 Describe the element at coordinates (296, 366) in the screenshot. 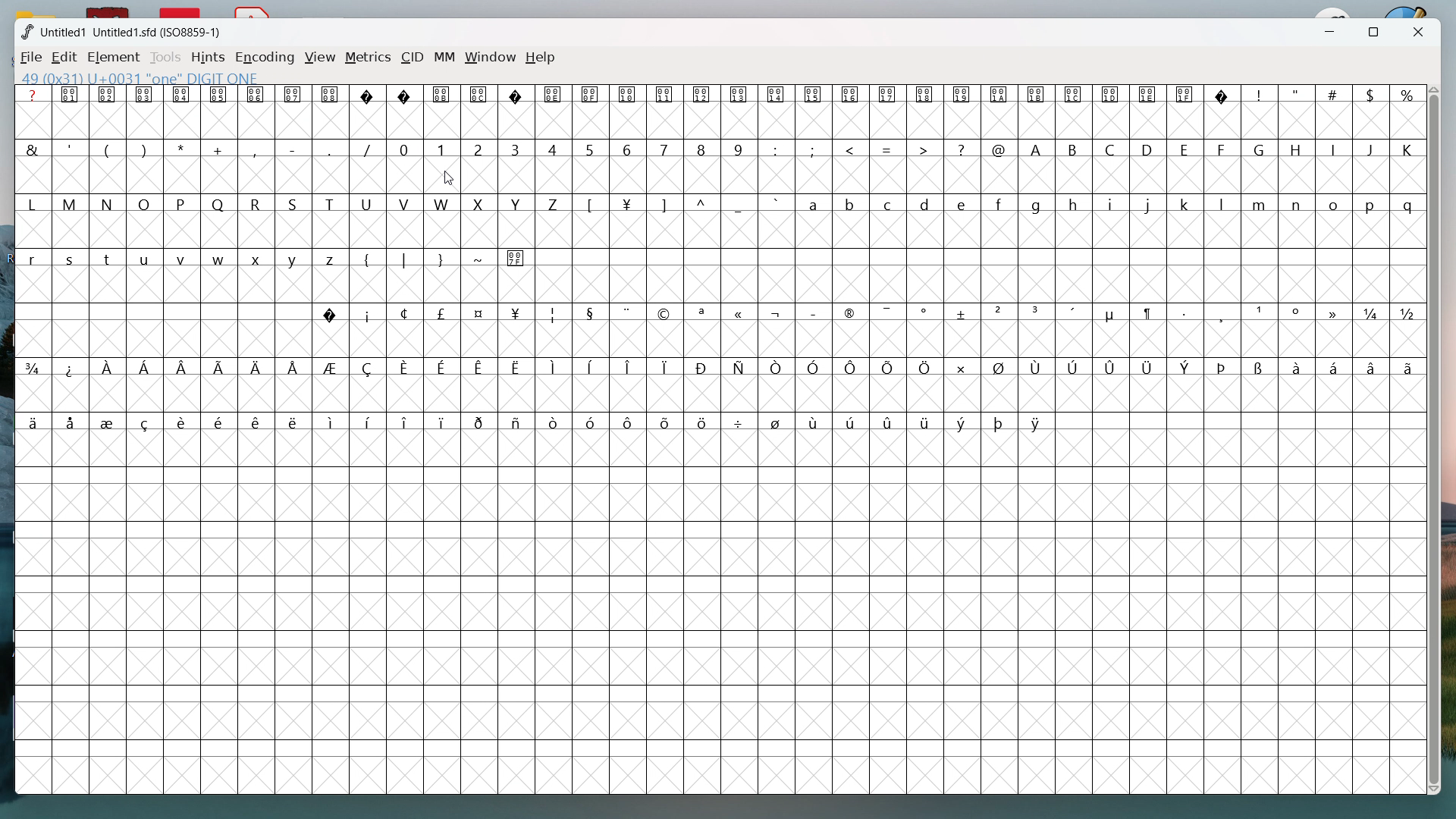

I see `symbol` at that location.